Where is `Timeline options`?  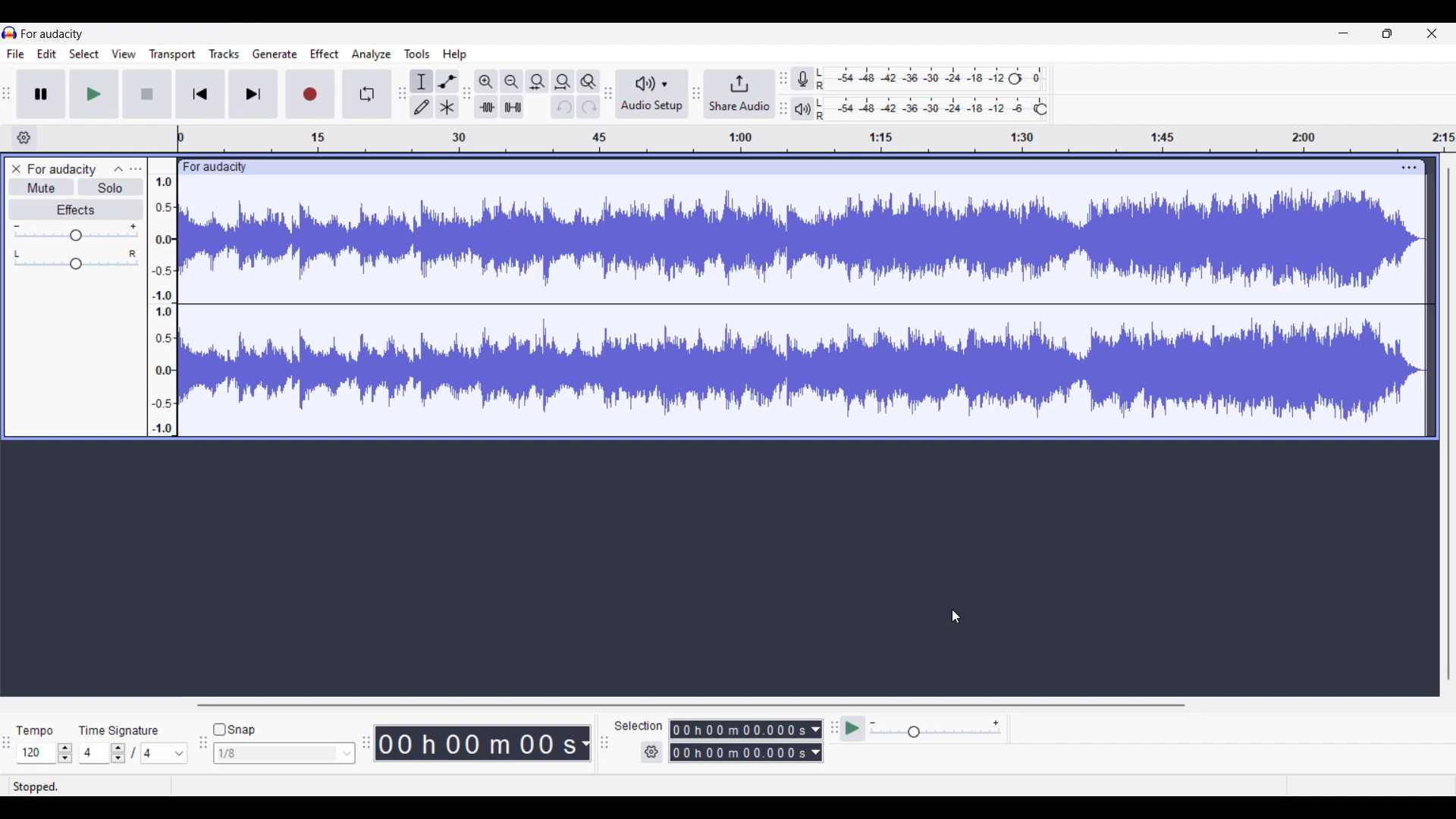 Timeline options is located at coordinates (24, 138).